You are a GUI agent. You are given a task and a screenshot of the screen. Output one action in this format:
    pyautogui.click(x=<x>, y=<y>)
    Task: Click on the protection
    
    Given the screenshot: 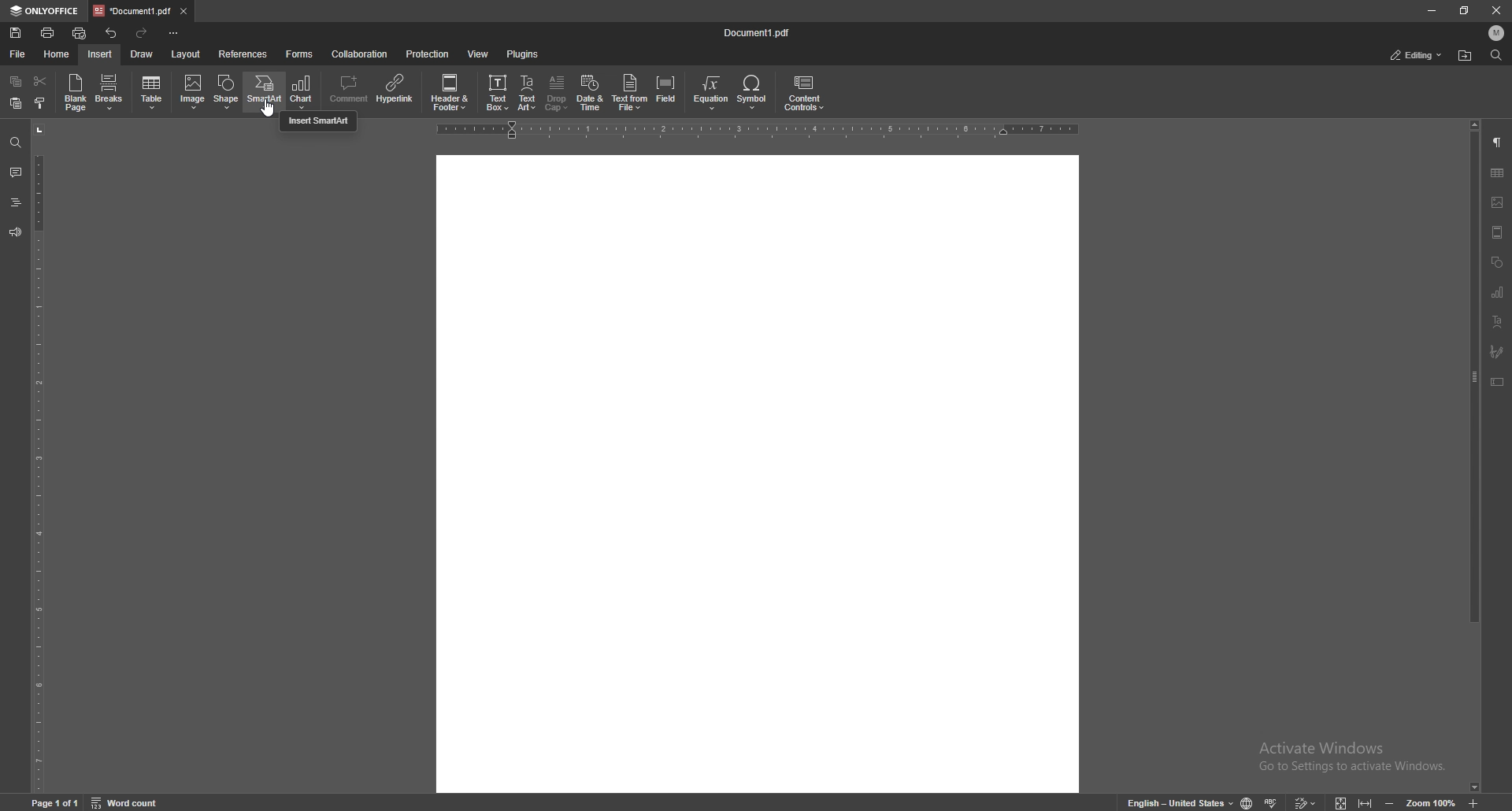 What is the action you would take?
    pyautogui.click(x=428, y=54)
    